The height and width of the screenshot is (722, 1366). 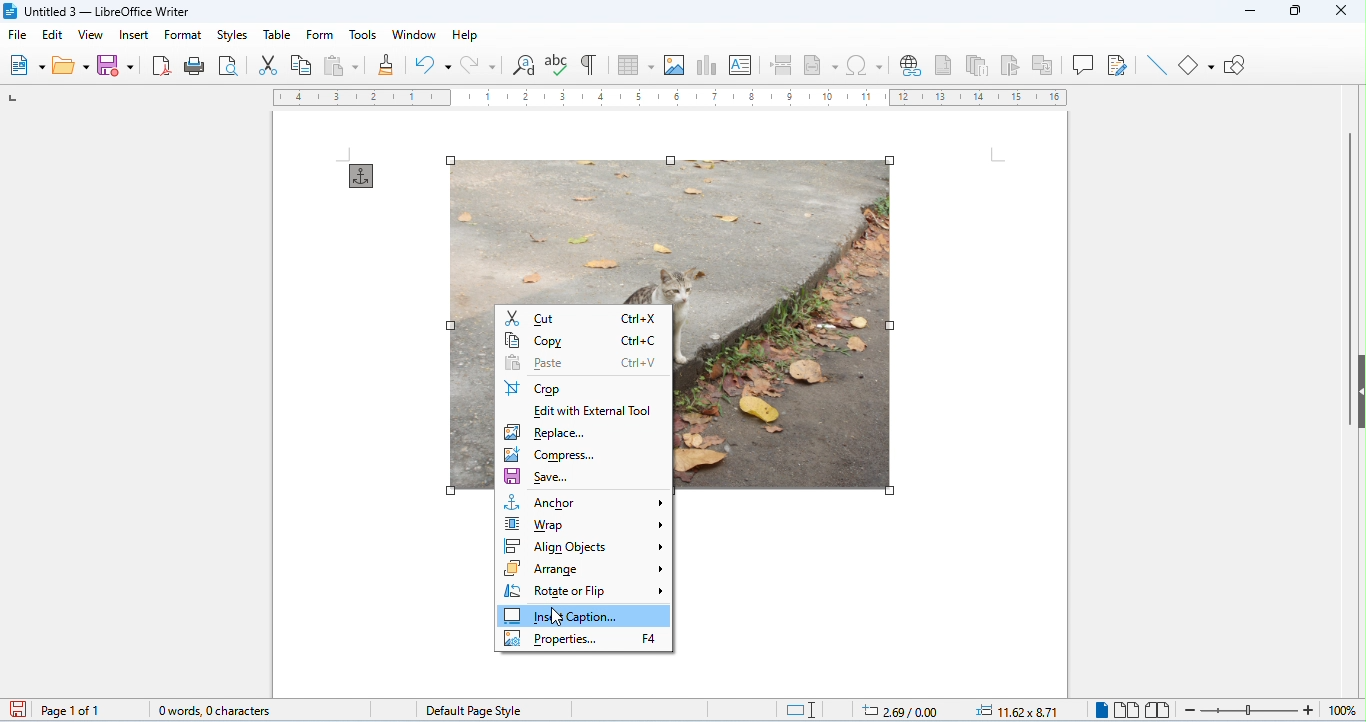 I want to click on show track changes, so click(x=1118, y=65).